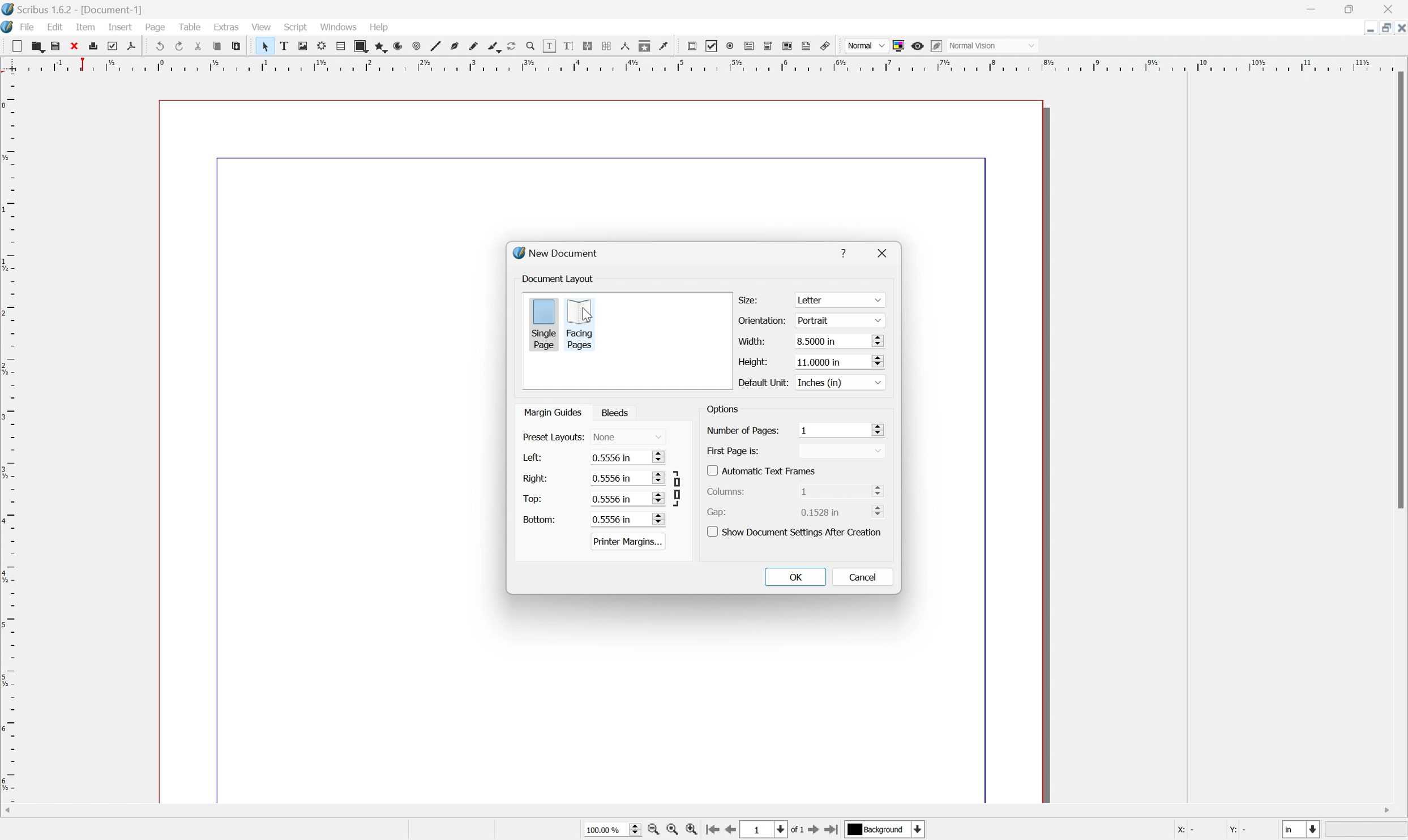  What do you see at coordinates (654, 830) in the screenshot?
I see `zoom out` at bounding box center [654, 830].